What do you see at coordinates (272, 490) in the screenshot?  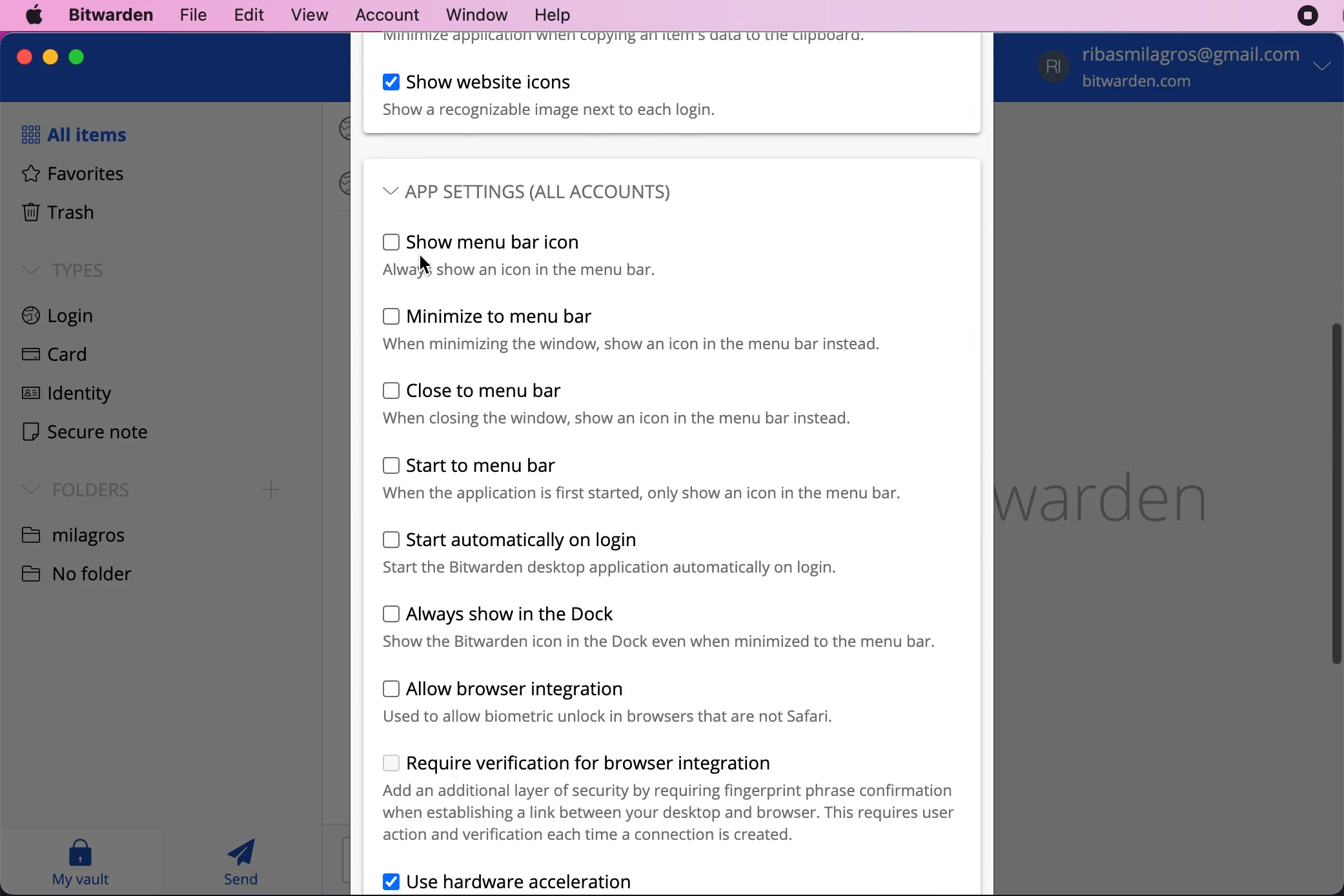 I see `Add folder` at bounding box center [272, 490].